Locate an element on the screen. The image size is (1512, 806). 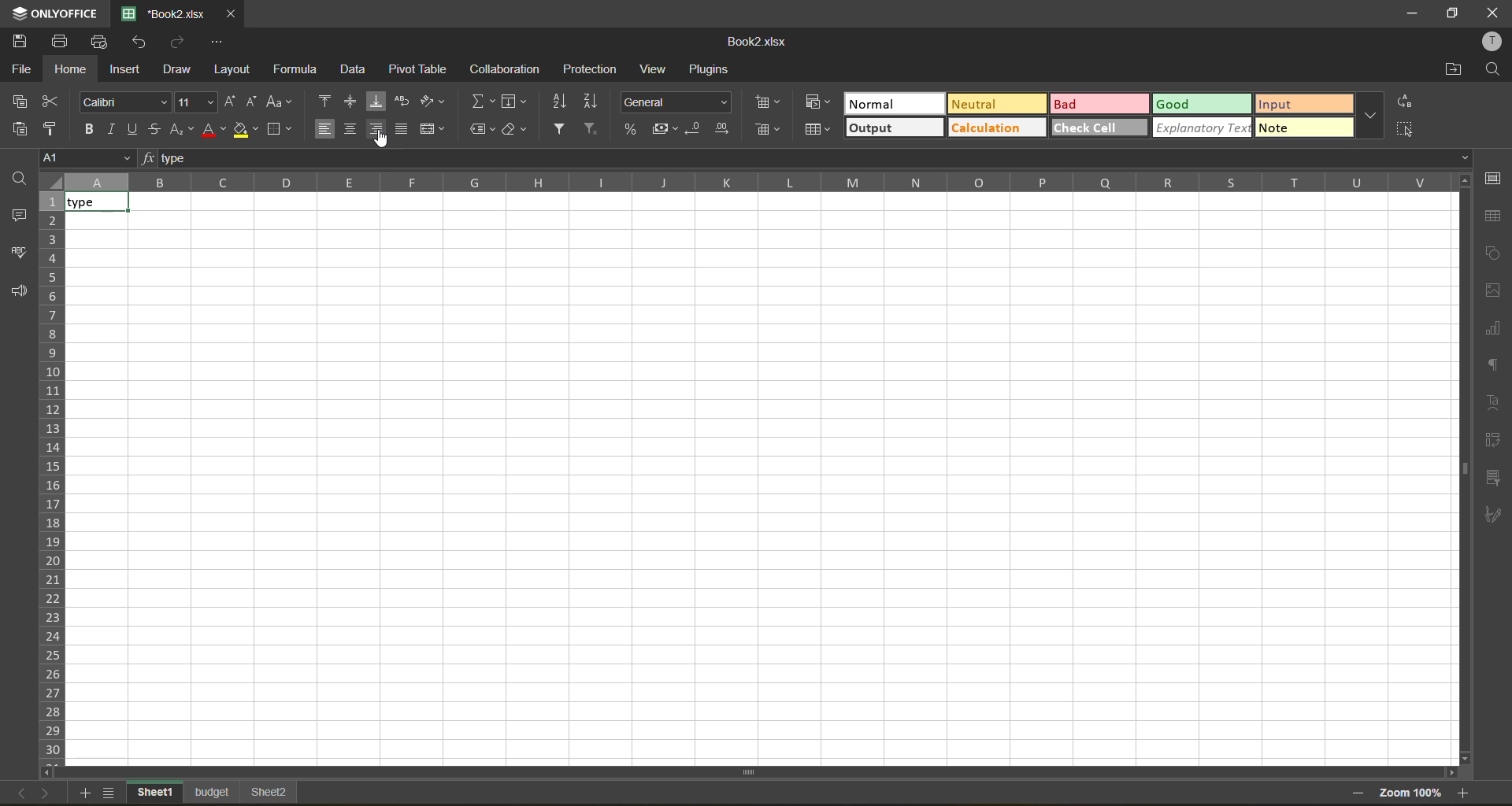
save is located at coordinates (26, 42).